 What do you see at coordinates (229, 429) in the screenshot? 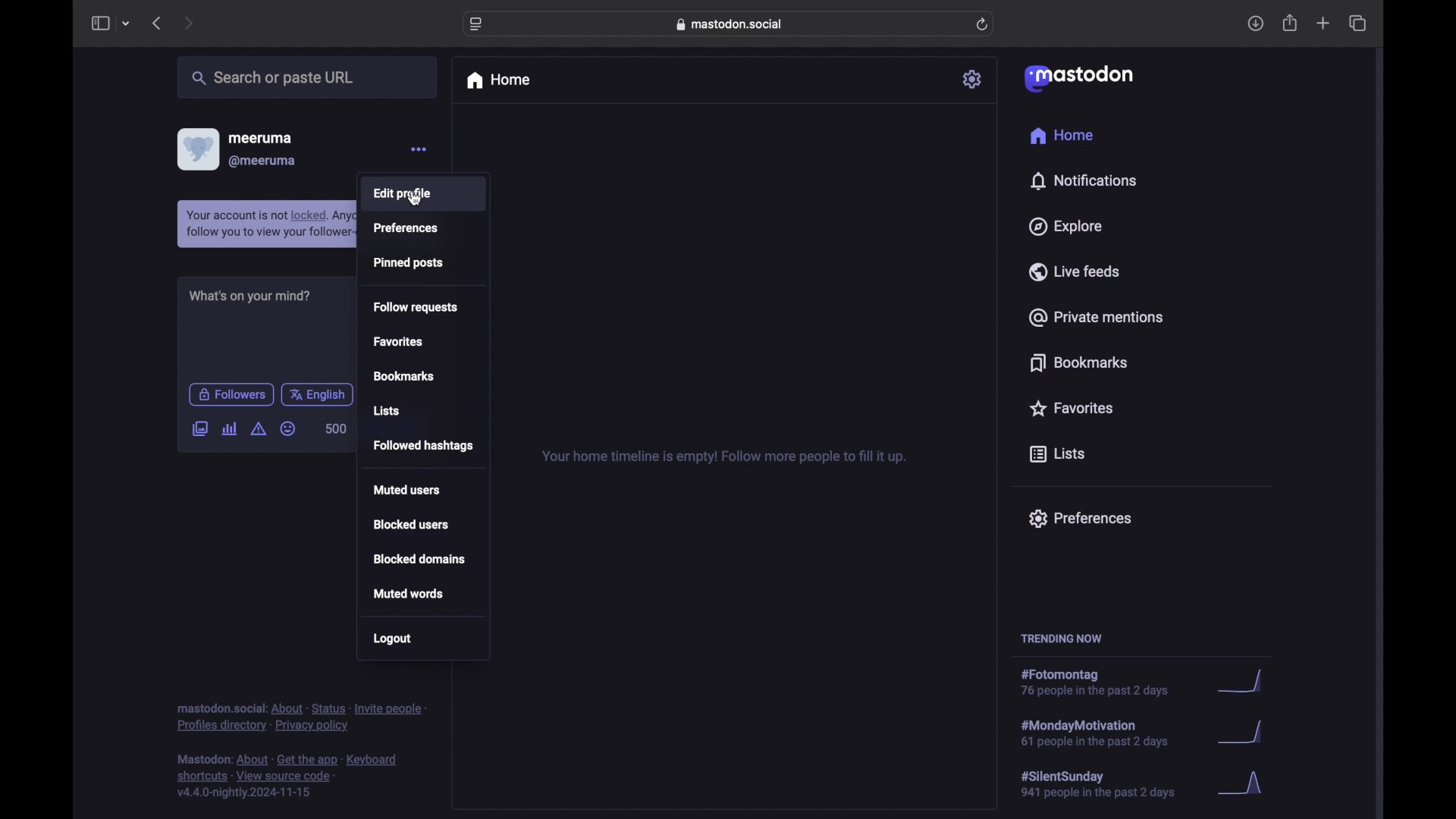
I see `add a poll` at bounding box center [229, 429].